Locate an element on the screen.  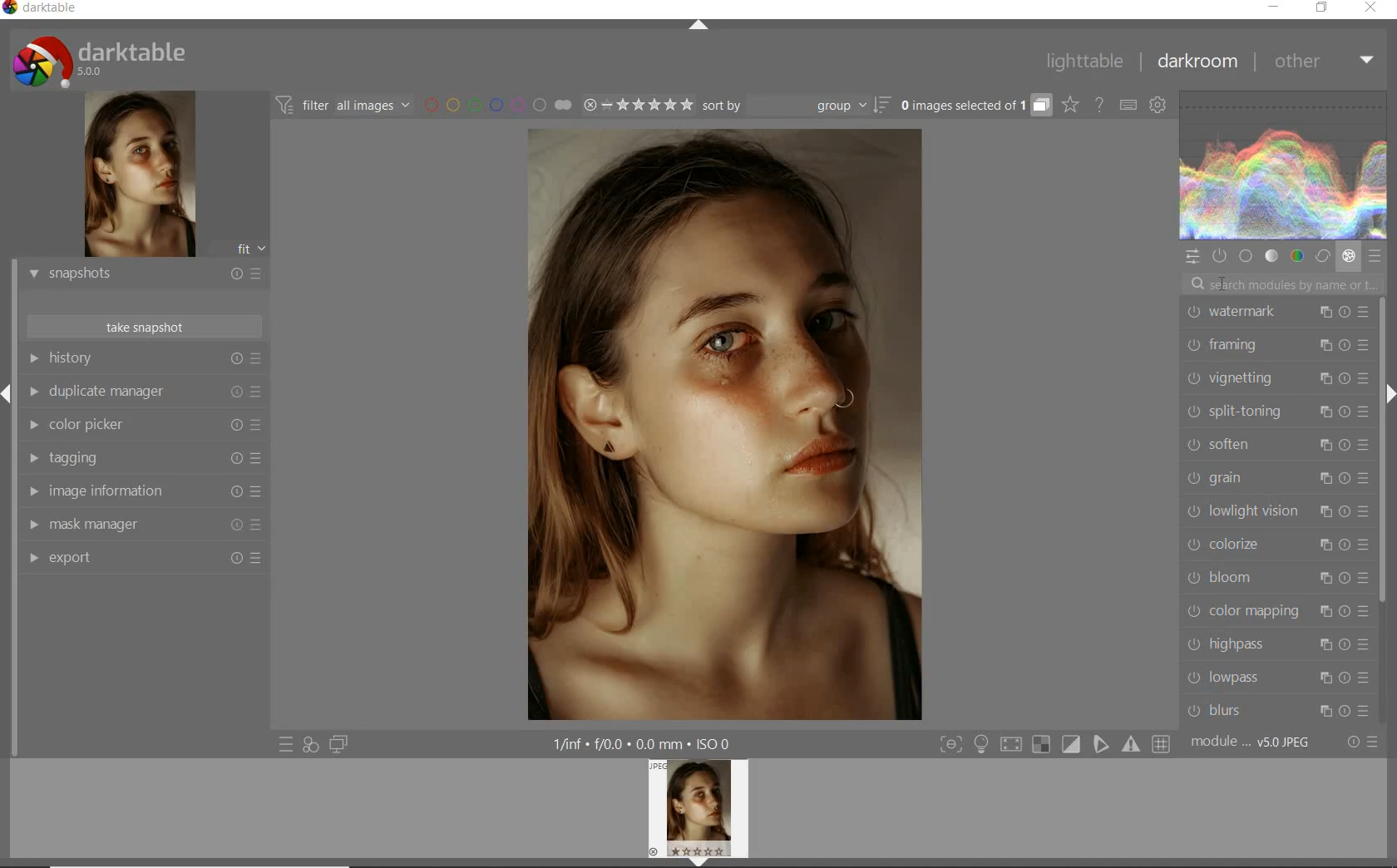
change overlays shown on thumbnails is located at coordinates (1069, 106).